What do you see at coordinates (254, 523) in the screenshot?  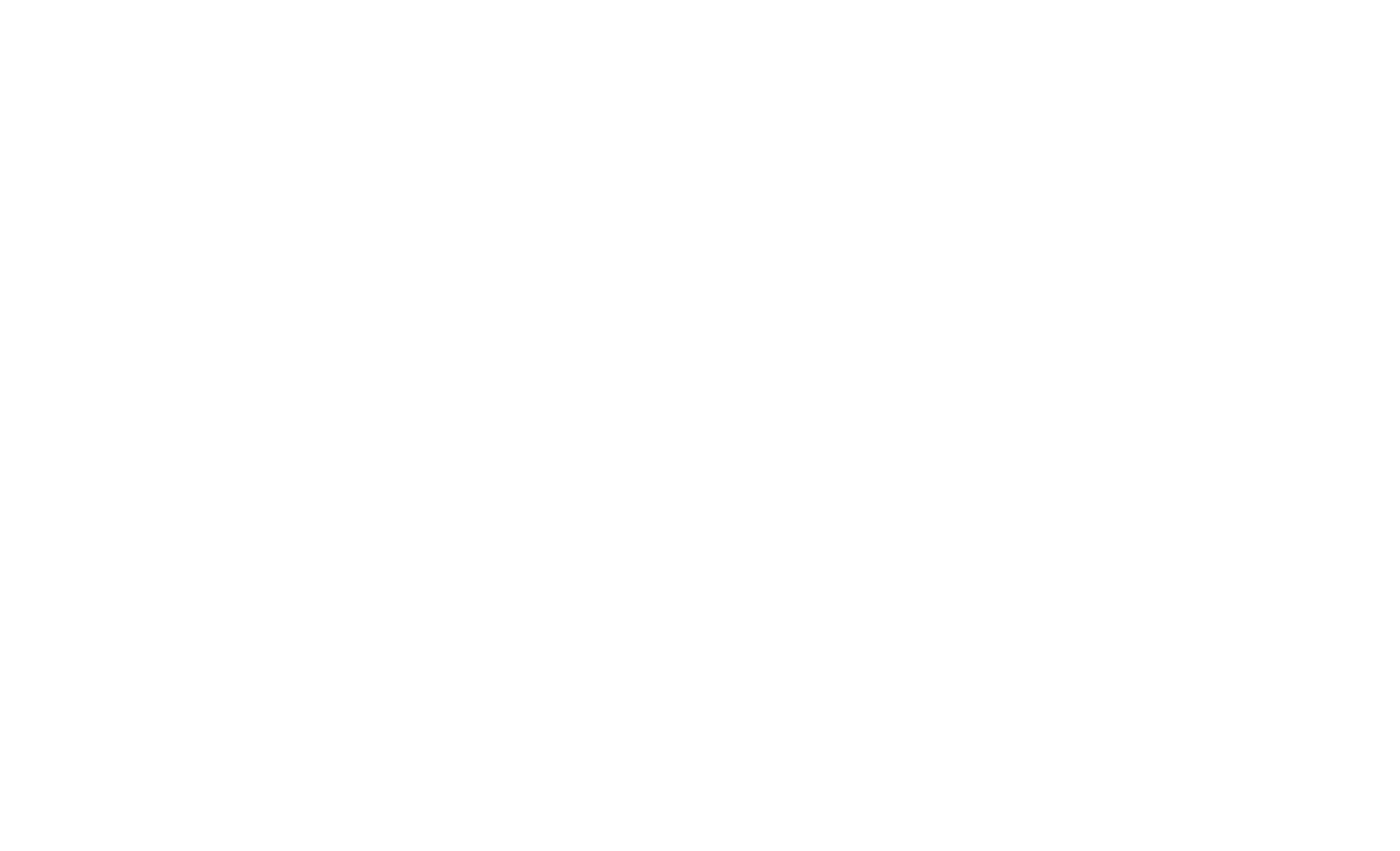 I see `Properties` at bounding box center [254, 523].